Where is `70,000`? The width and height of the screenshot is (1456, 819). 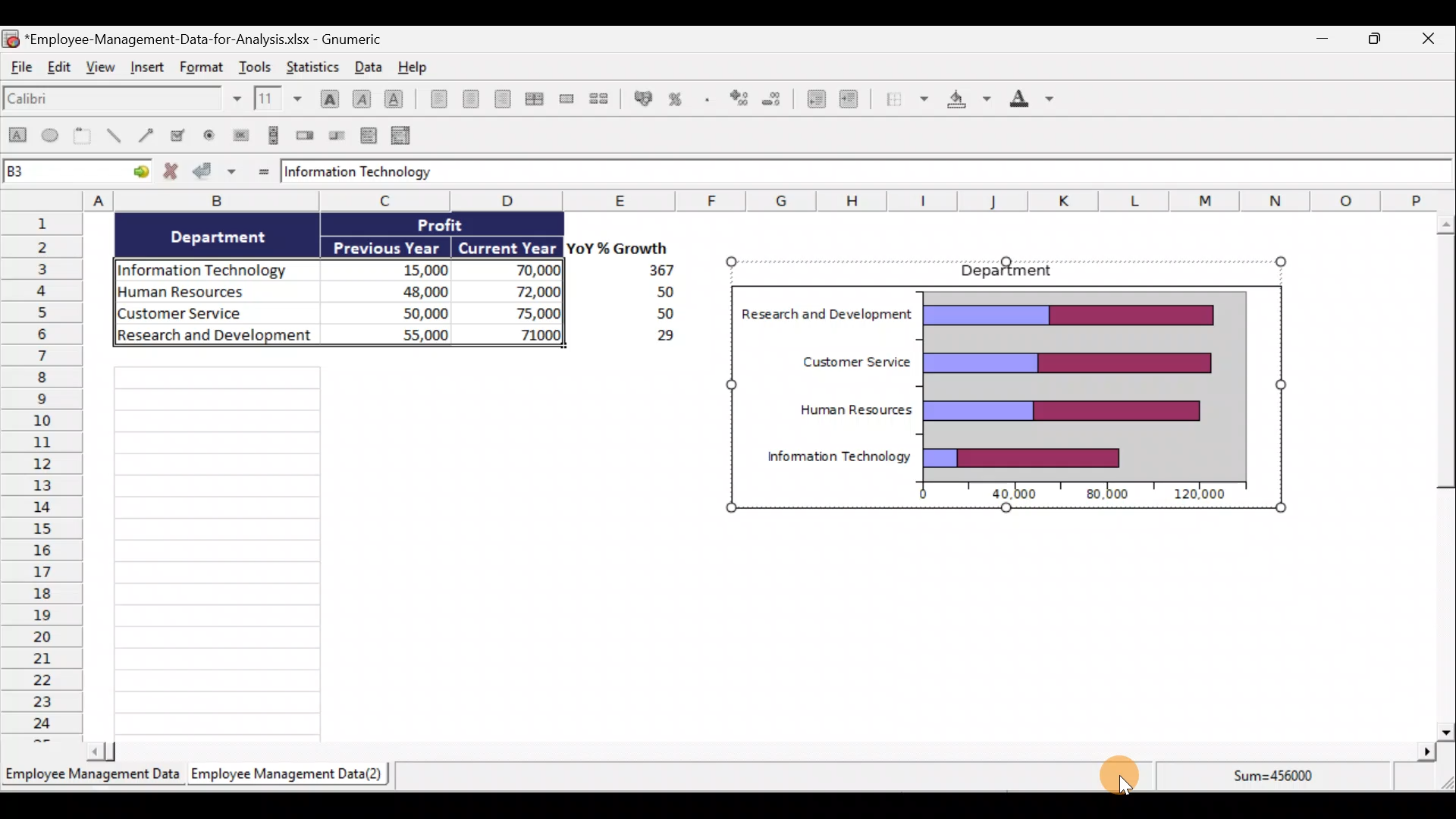
70,000 is located at coordinates (522, 271).